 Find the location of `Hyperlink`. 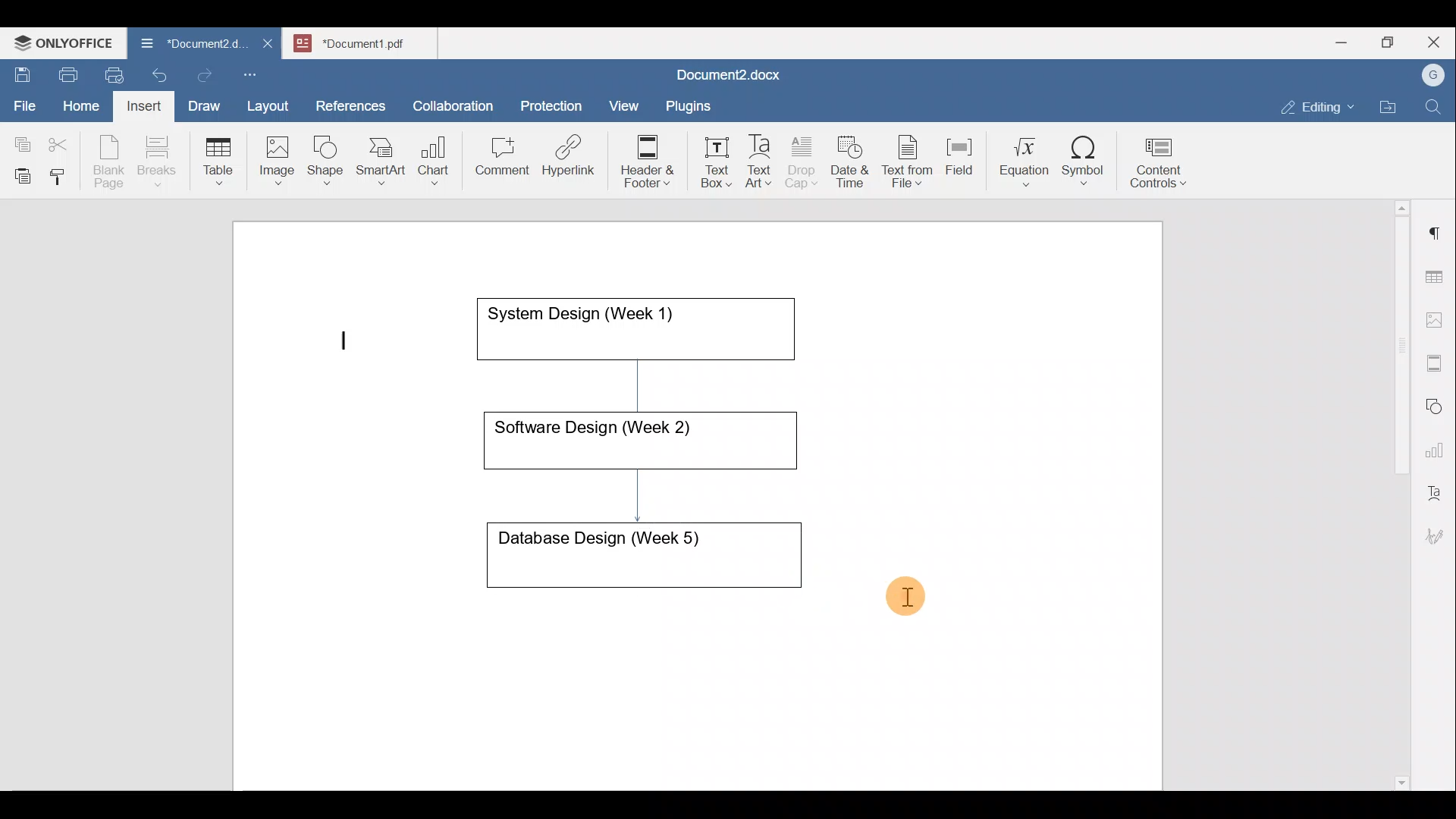

Hyperlink is located at coordinates (573, 160).